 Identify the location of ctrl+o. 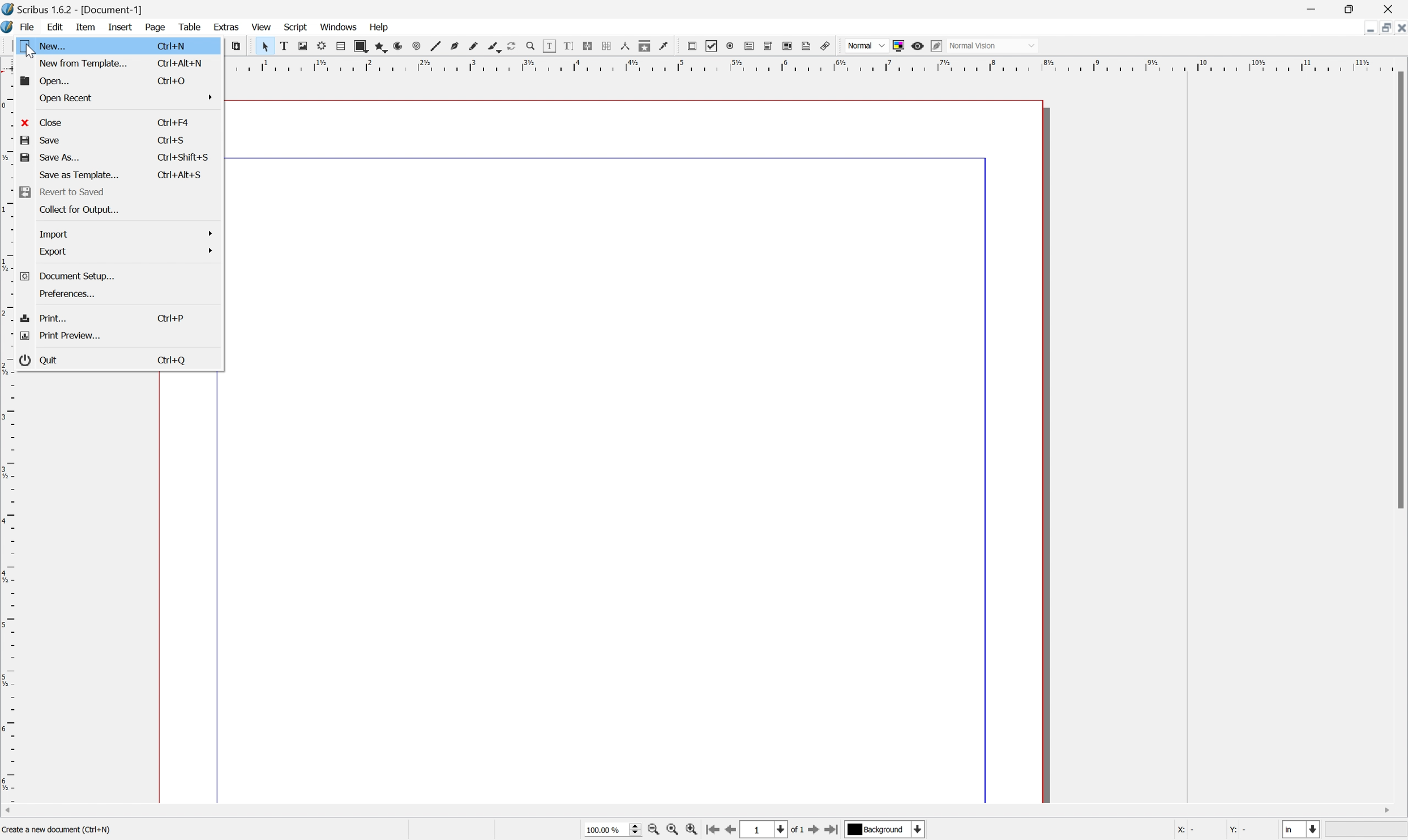
(170, 80).